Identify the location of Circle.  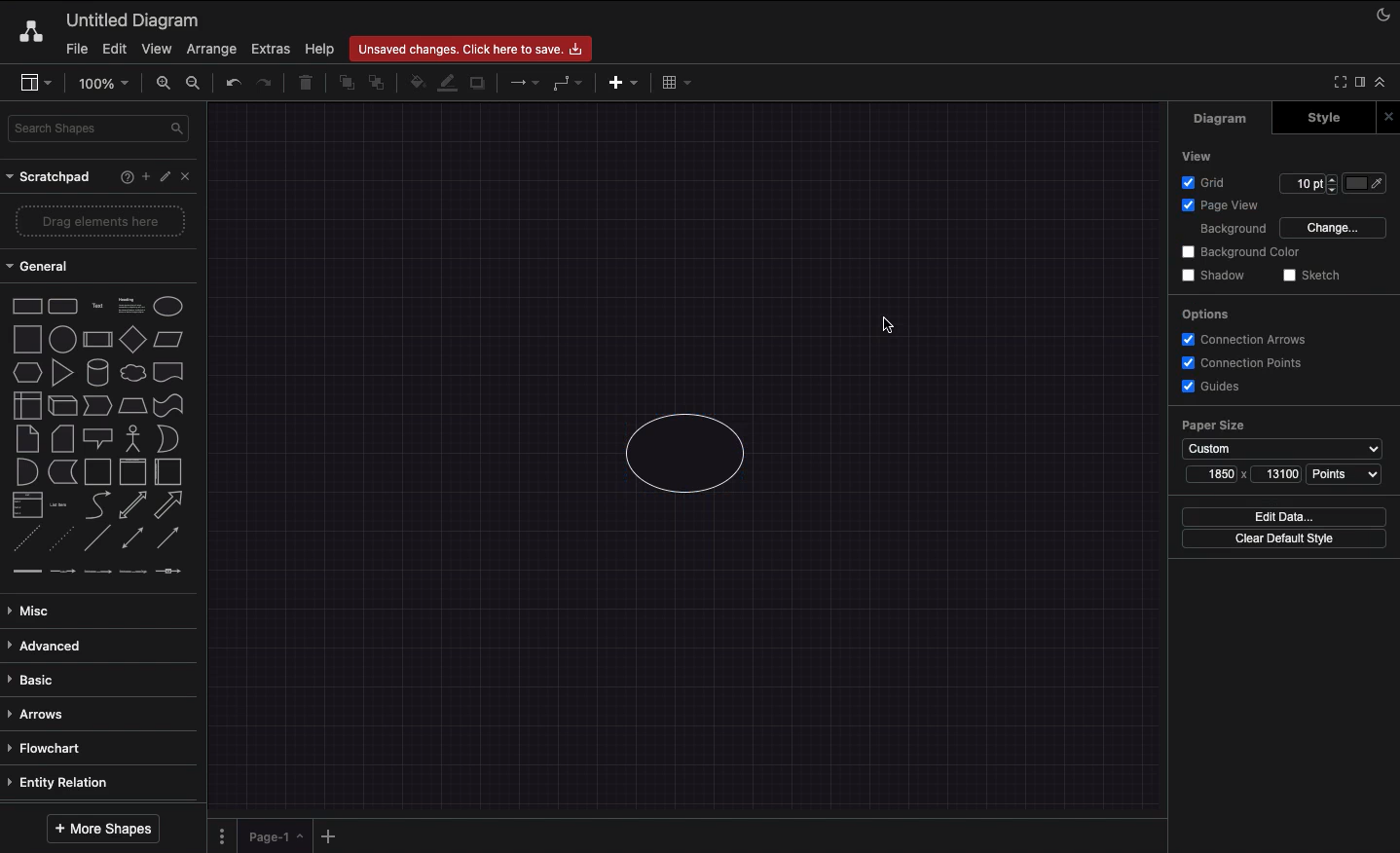
(62, 337).